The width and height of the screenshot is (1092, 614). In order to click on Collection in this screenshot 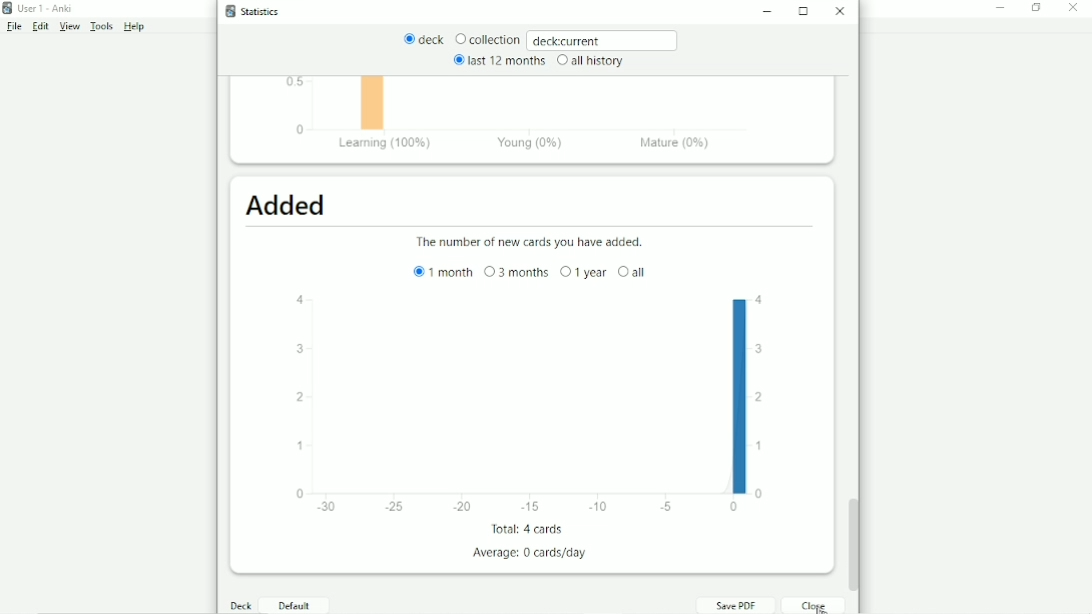, I will do `click(487, 40)`.